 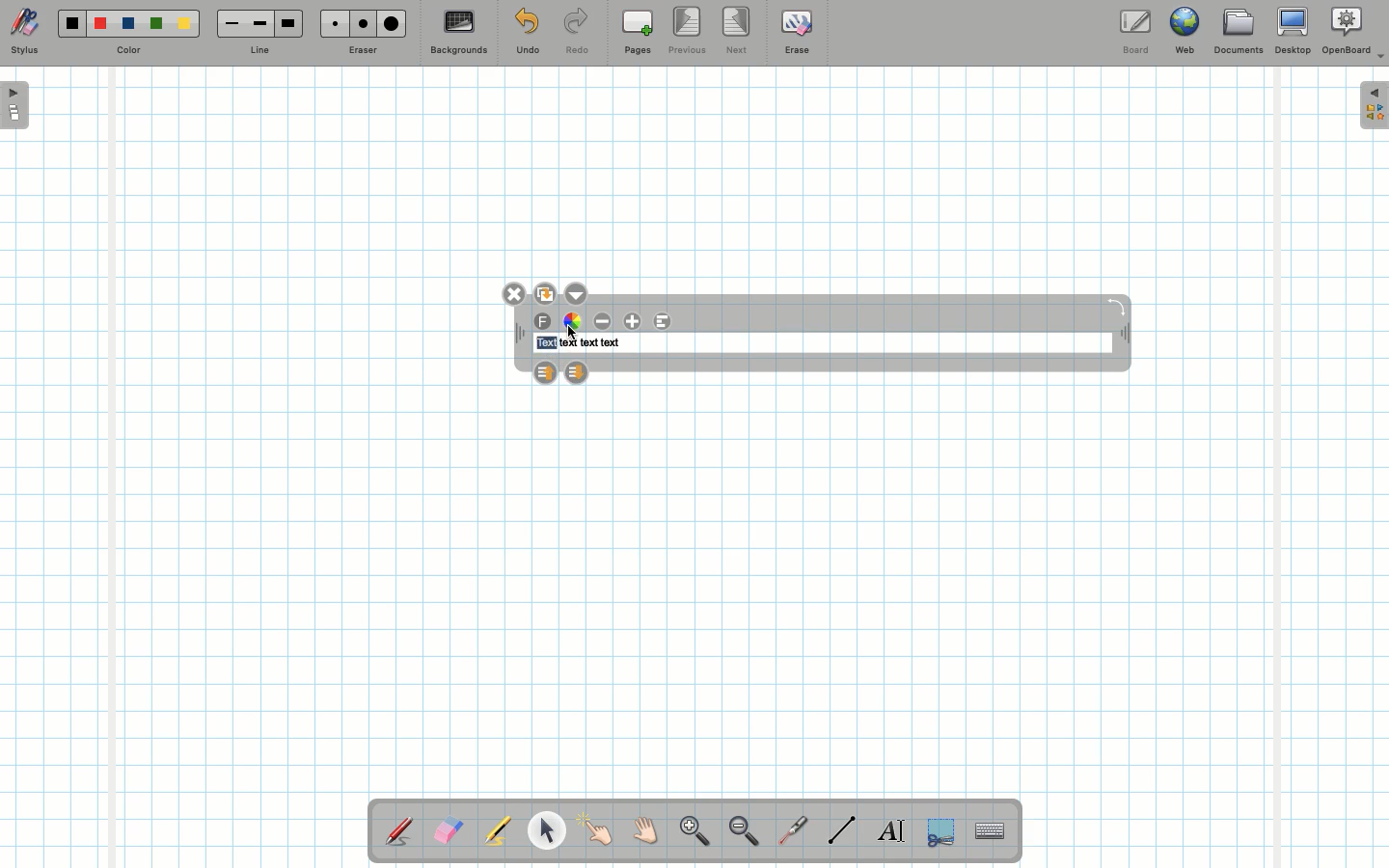 I want to click on Green, so click(x=156, y=25).